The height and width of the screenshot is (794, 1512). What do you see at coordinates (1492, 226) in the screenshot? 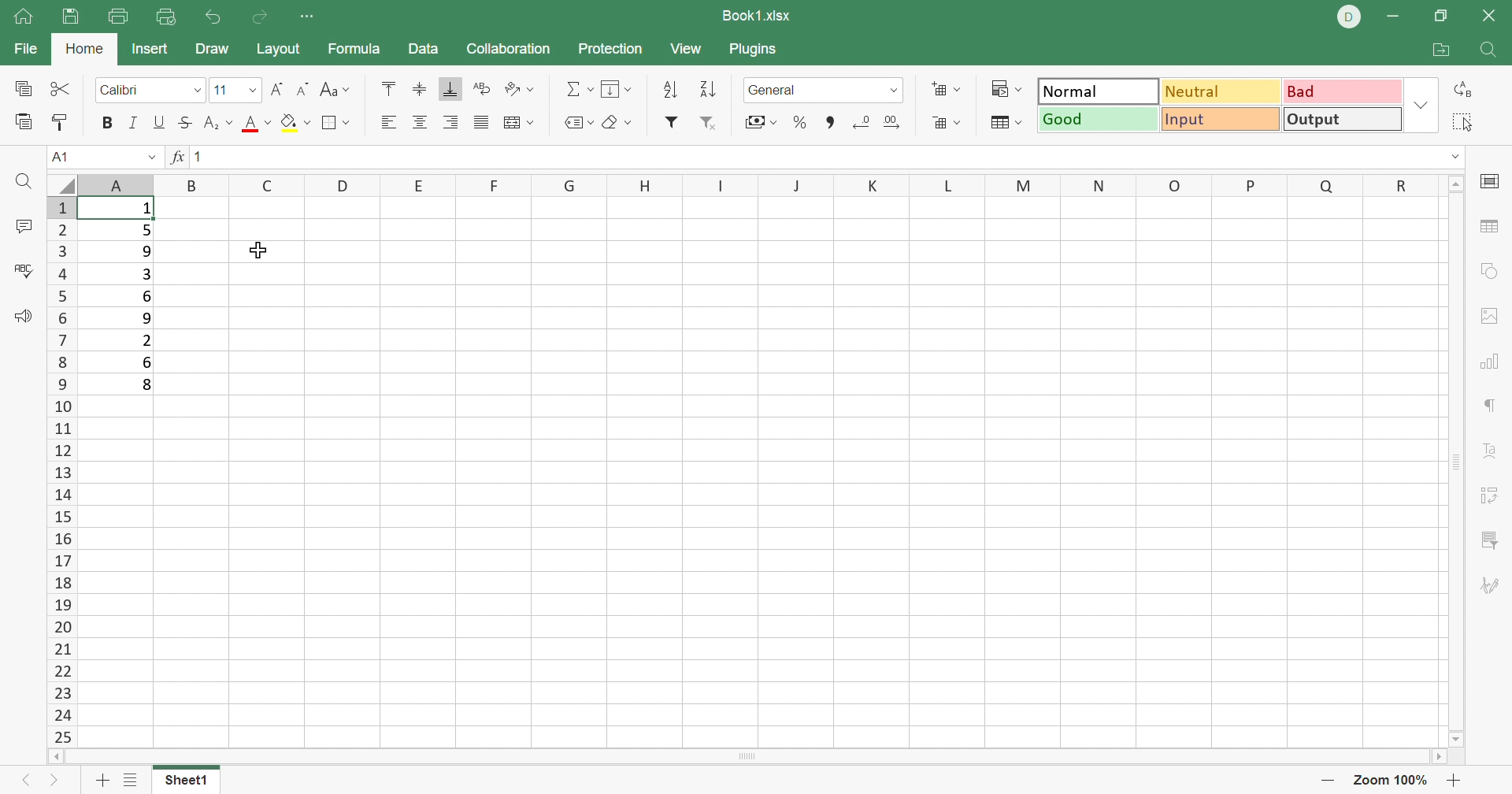
I see `Table settings` at bounding box center [1492, 226].